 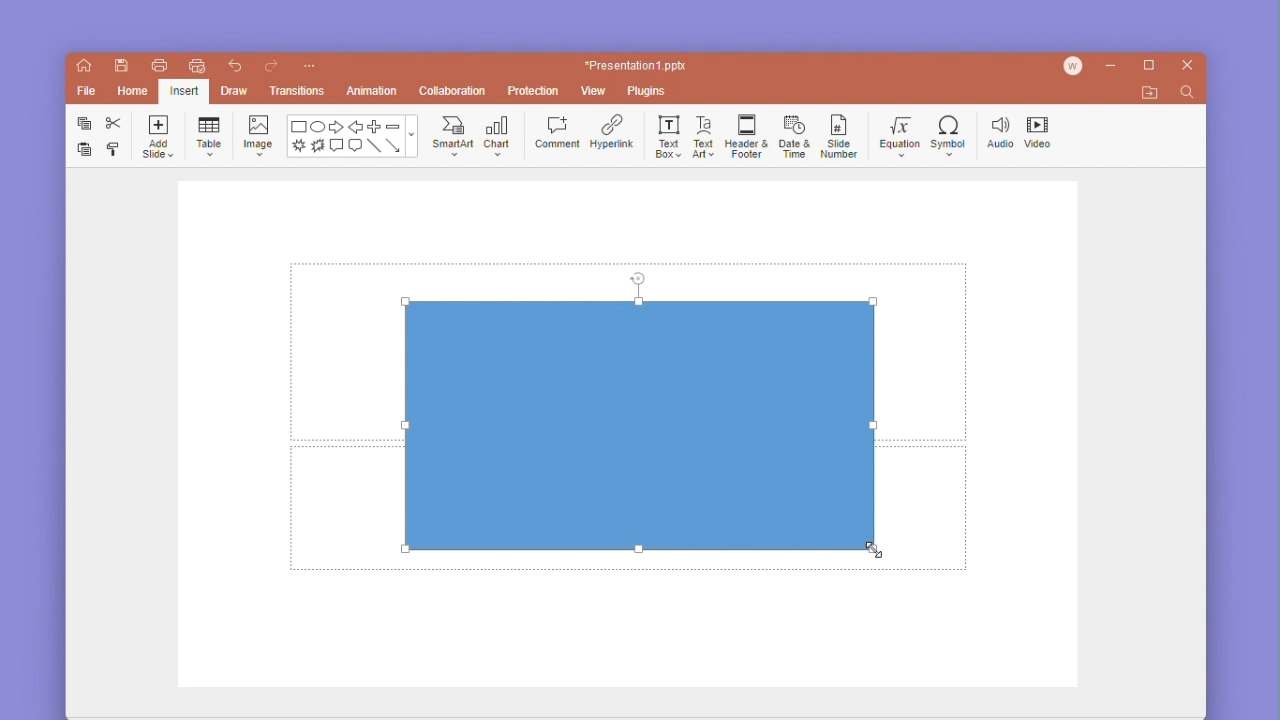 What do you see at coordinates (79, 151) in the screenshot?
I see `paste` at bounding box center [79, 151].